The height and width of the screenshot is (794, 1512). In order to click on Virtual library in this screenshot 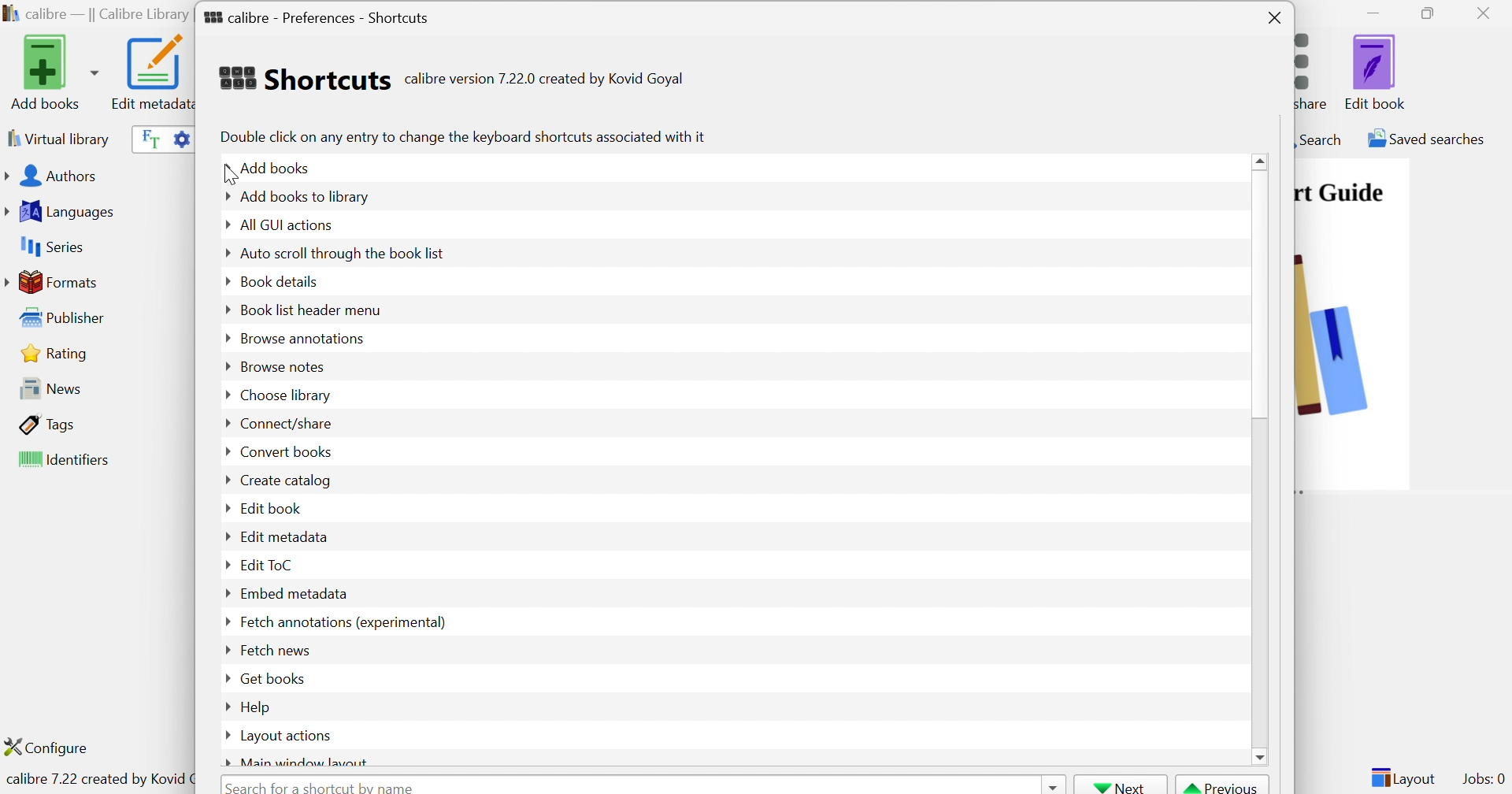, I will do `click(57, 138)`.